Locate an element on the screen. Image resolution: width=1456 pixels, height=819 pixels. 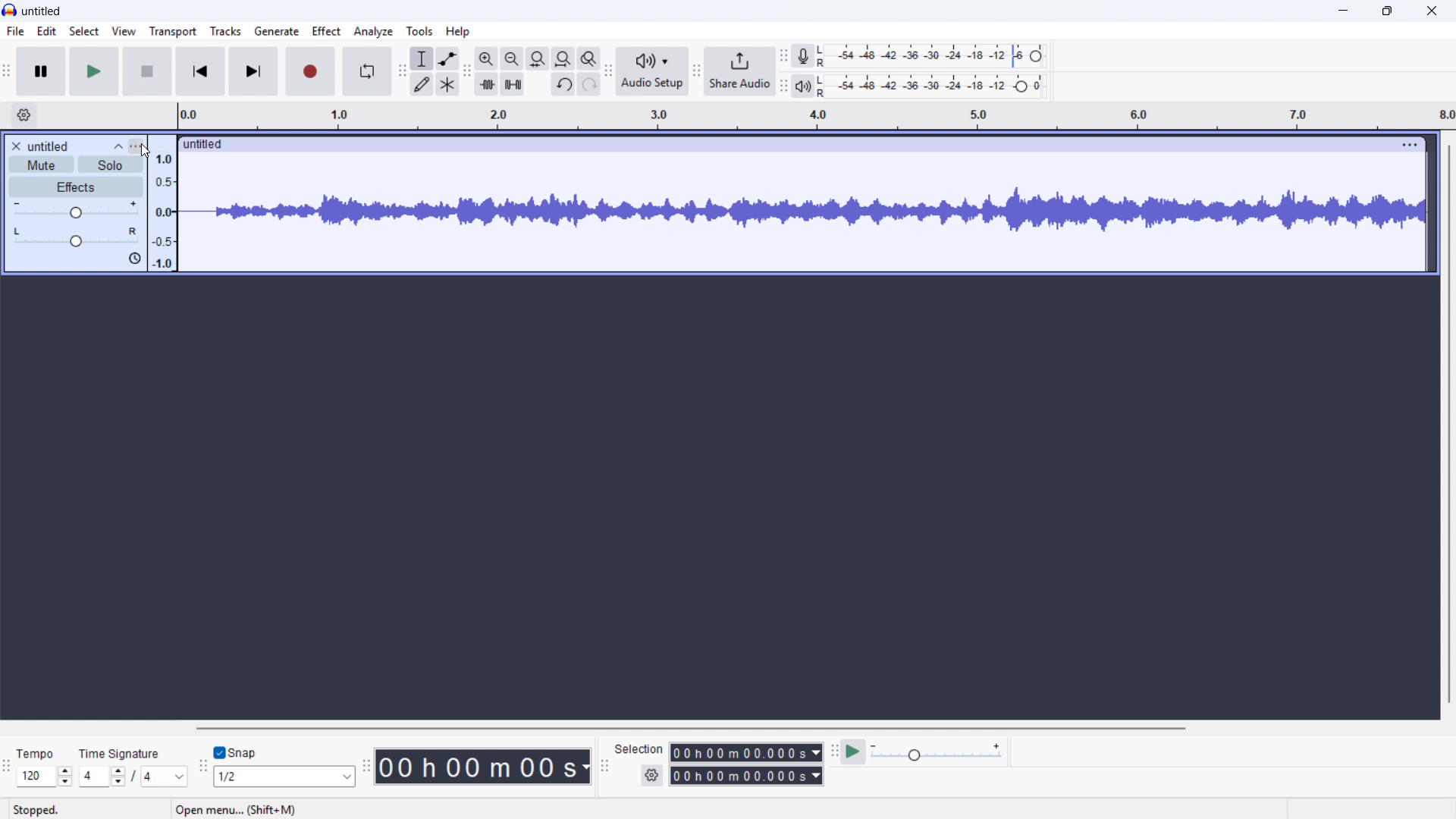
Toggle zoom  is located at coordinates (588, 58).